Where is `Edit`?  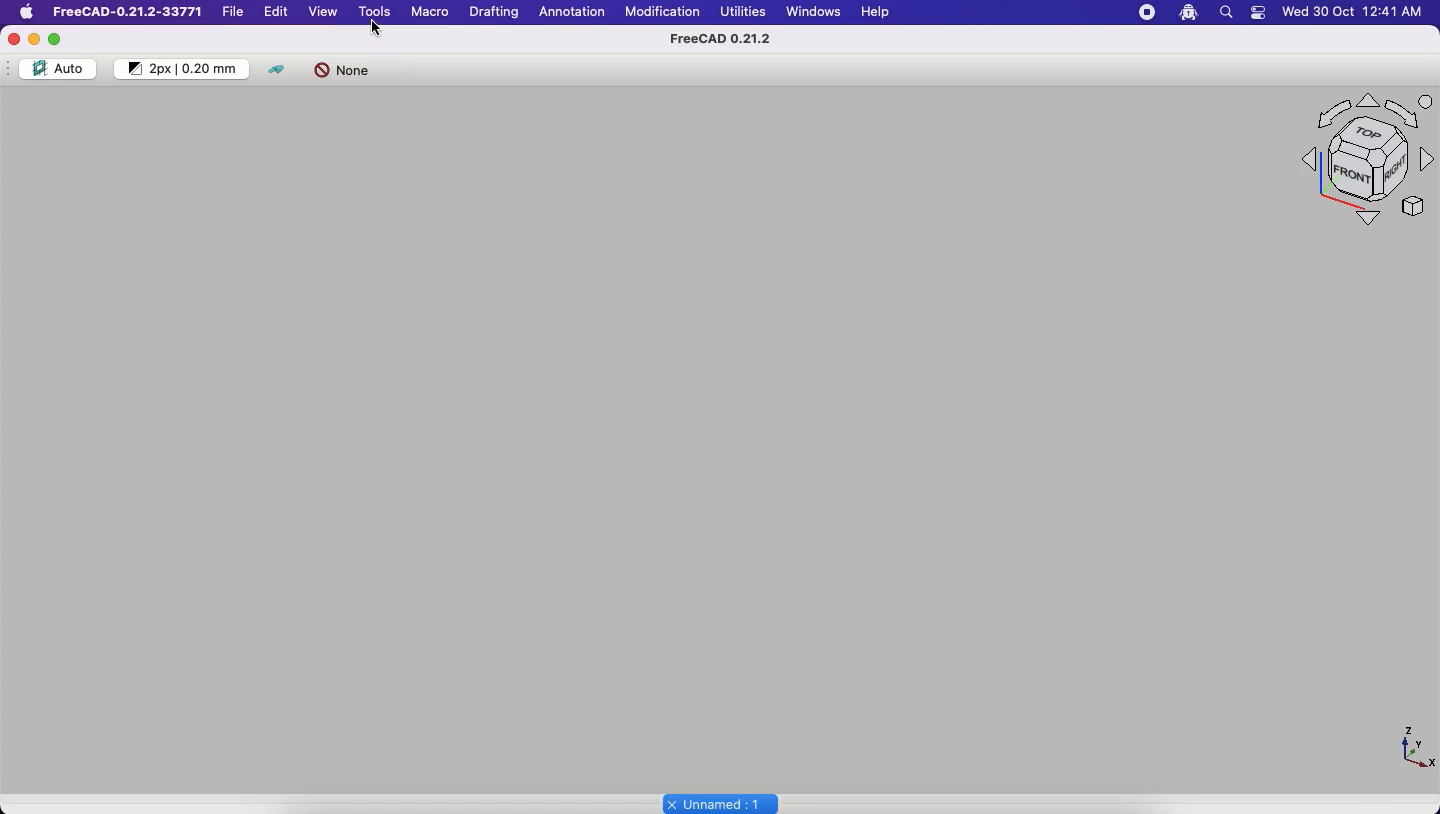
Edit is located at coordinates (275, 13).